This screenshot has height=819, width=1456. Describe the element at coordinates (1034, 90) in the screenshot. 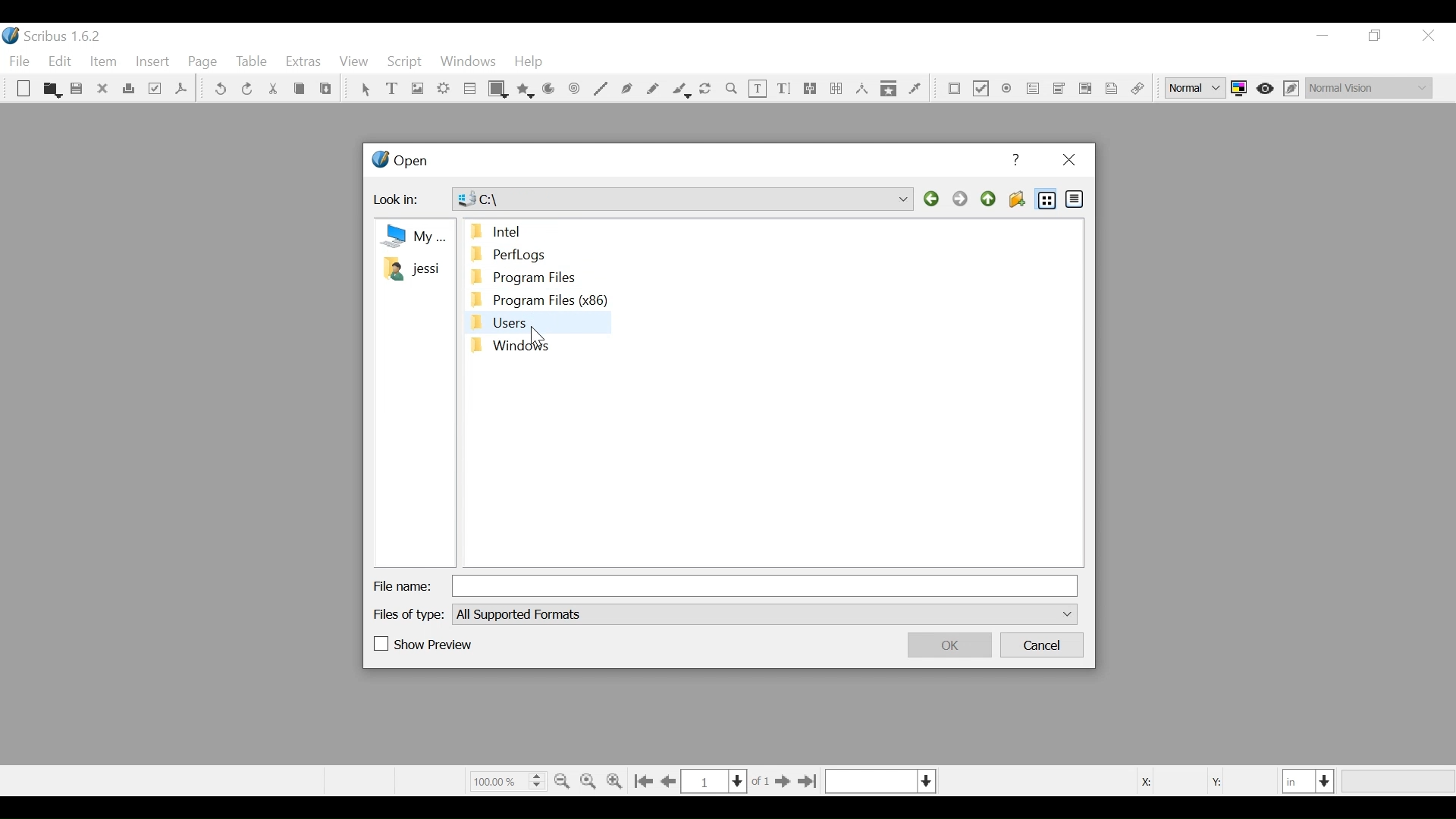

I see `PDF Combo Box` at that location.